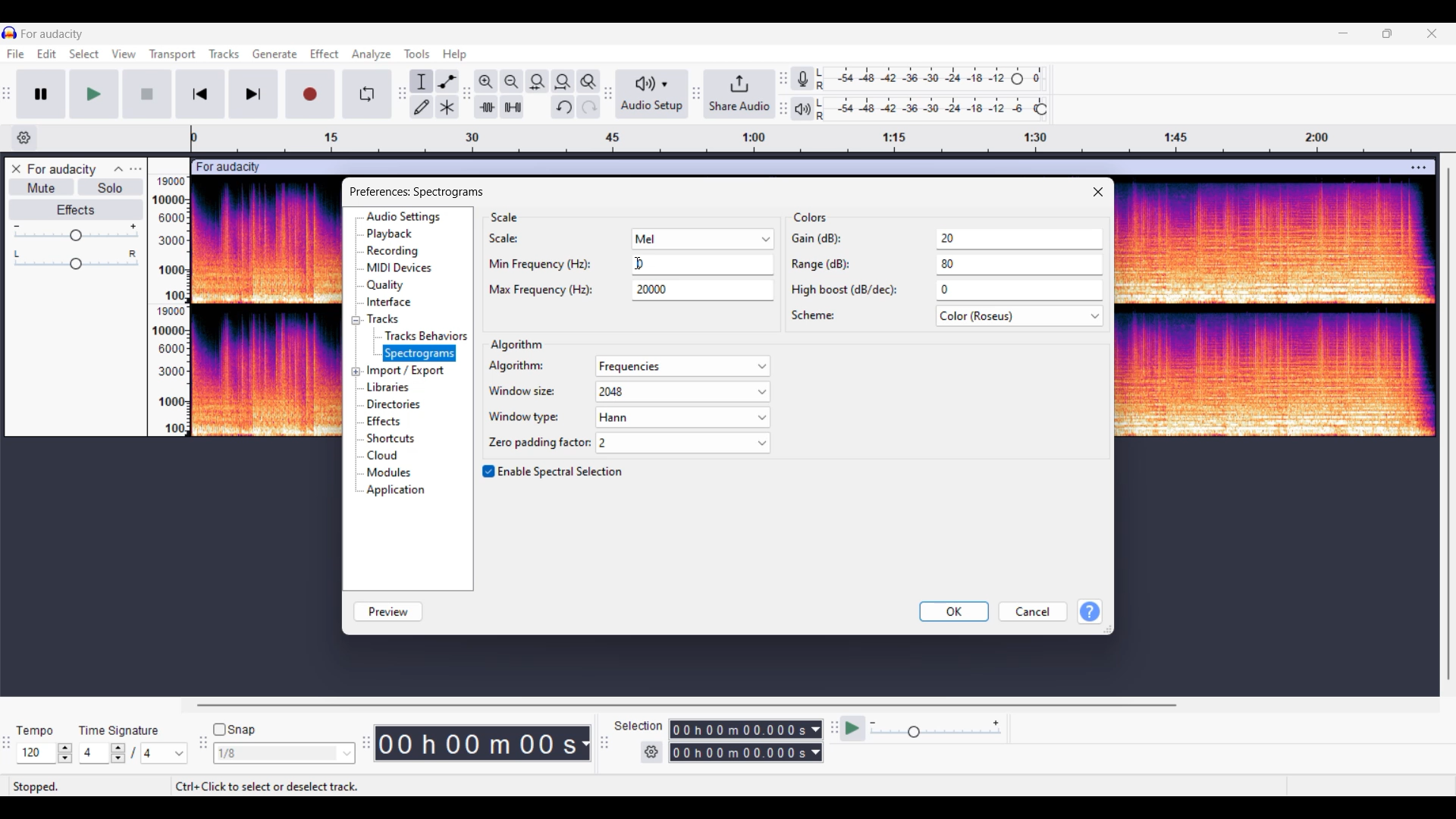  I want to click on min frequency, so click(635, 265).